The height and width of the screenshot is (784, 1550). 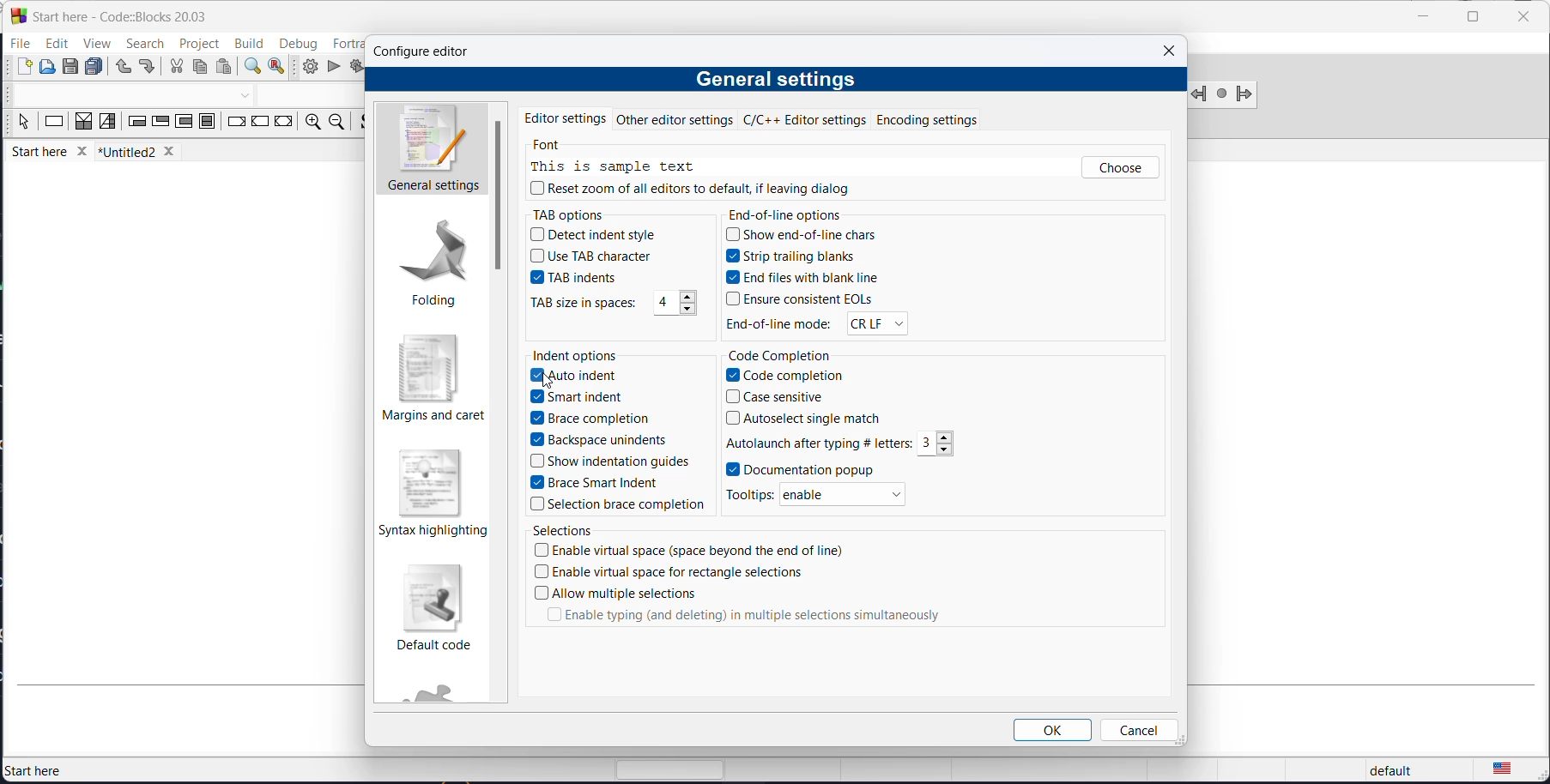 I want to click on instruction, so click(x=54, y=124).